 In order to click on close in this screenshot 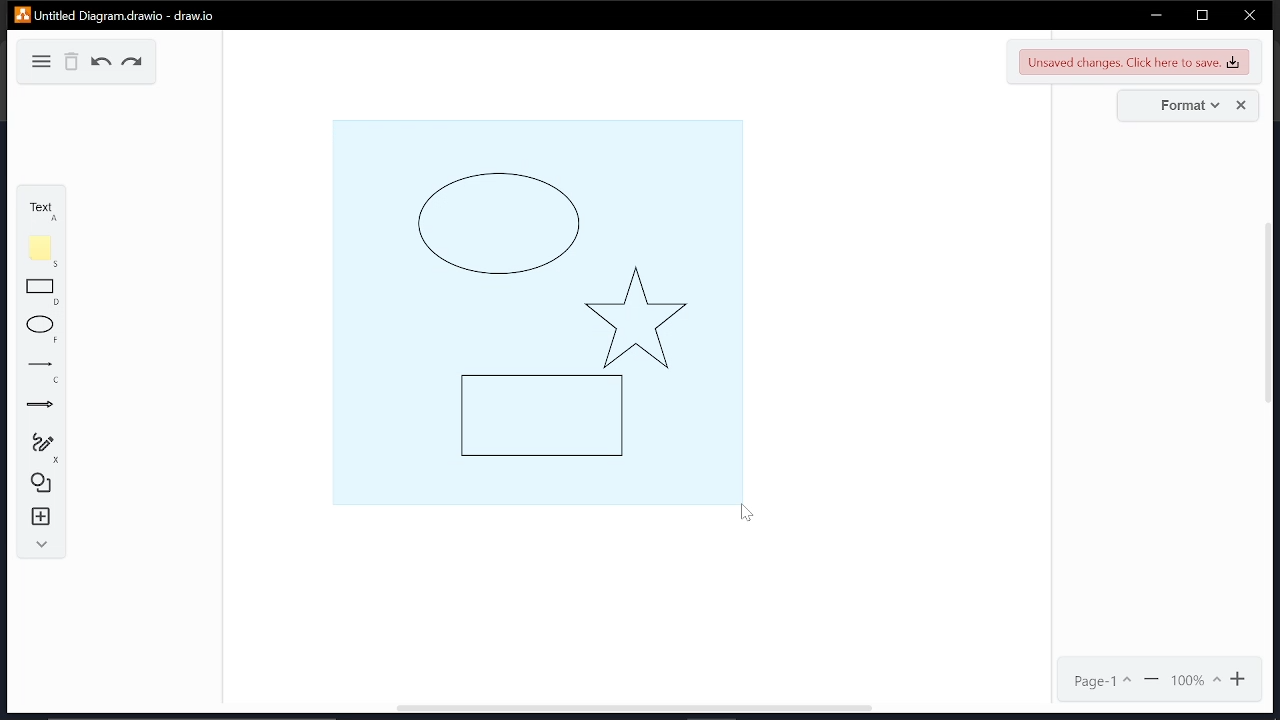, I will do `click(1249, 17)`.